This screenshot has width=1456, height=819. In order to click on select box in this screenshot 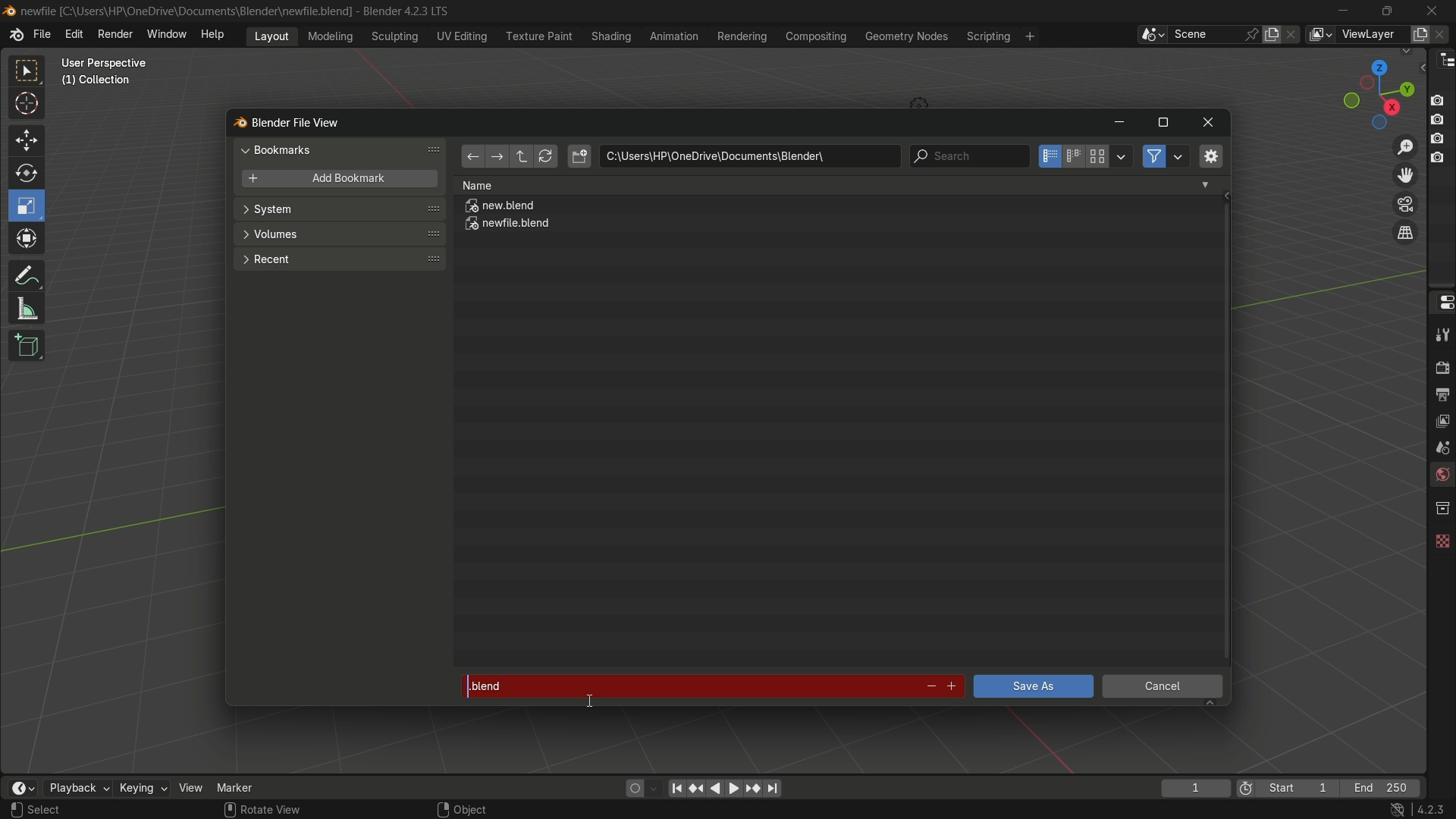, I will do `click(28, 71)`.